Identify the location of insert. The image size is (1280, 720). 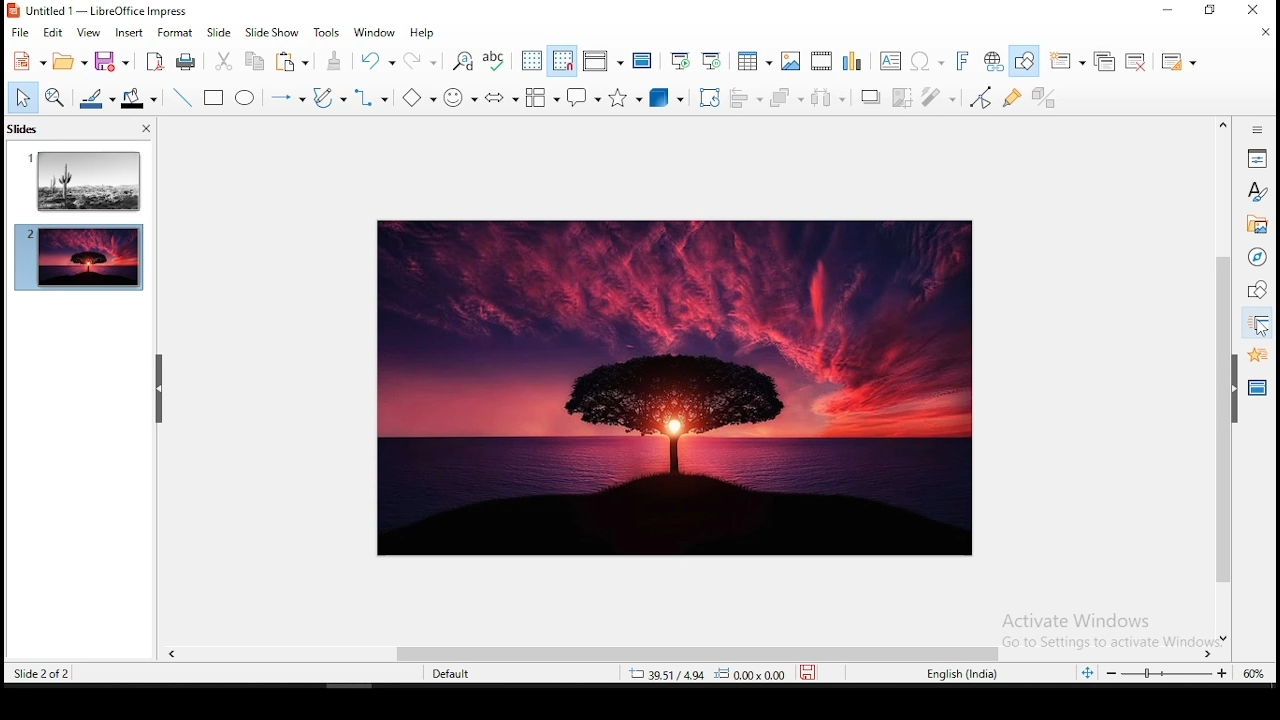
(128, 32).